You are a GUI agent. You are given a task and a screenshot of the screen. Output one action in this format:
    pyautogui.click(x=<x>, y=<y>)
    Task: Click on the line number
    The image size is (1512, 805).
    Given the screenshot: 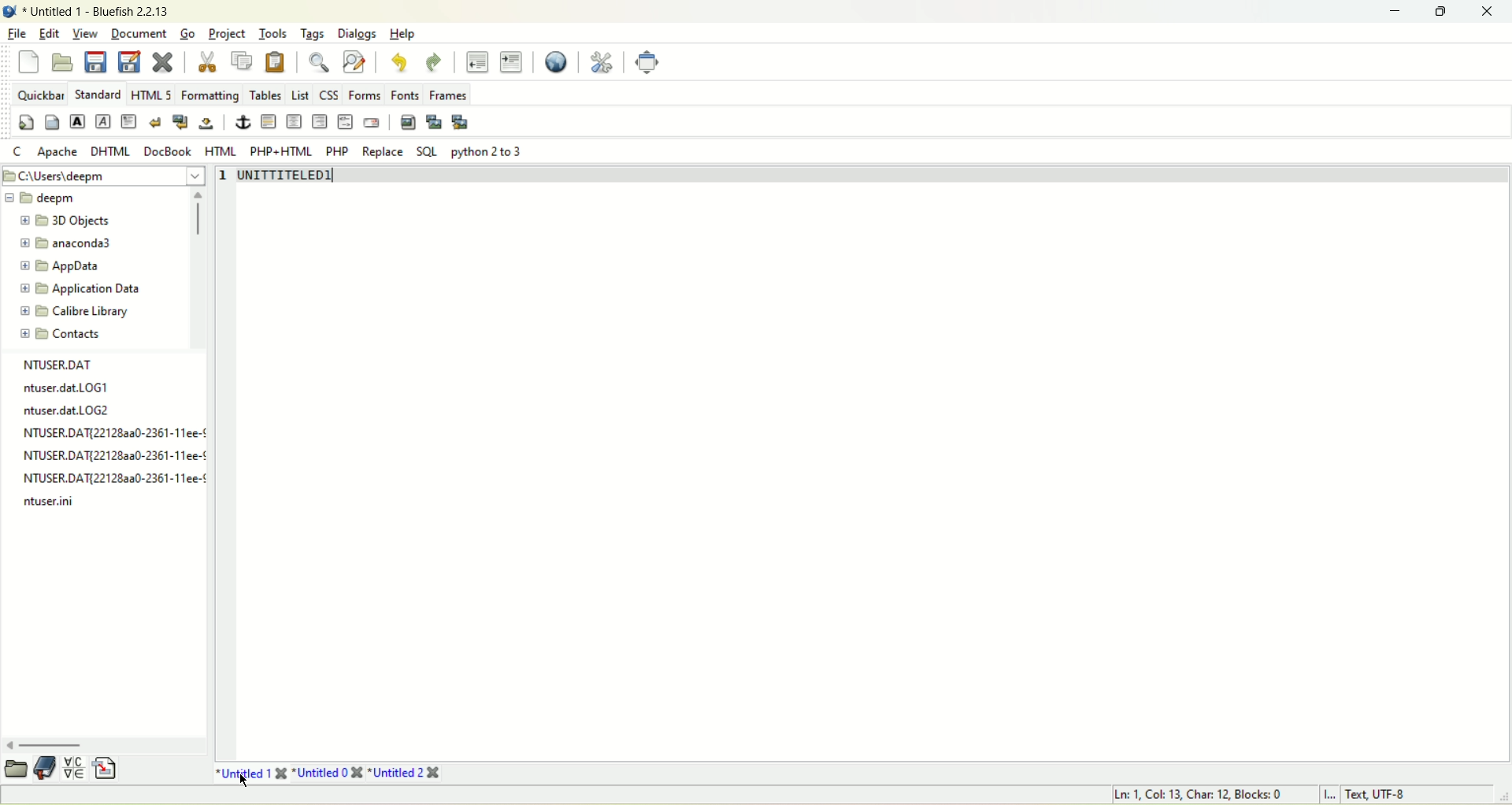 What is the action you would take?
    pyautogui.click(x=223, y=184)
    